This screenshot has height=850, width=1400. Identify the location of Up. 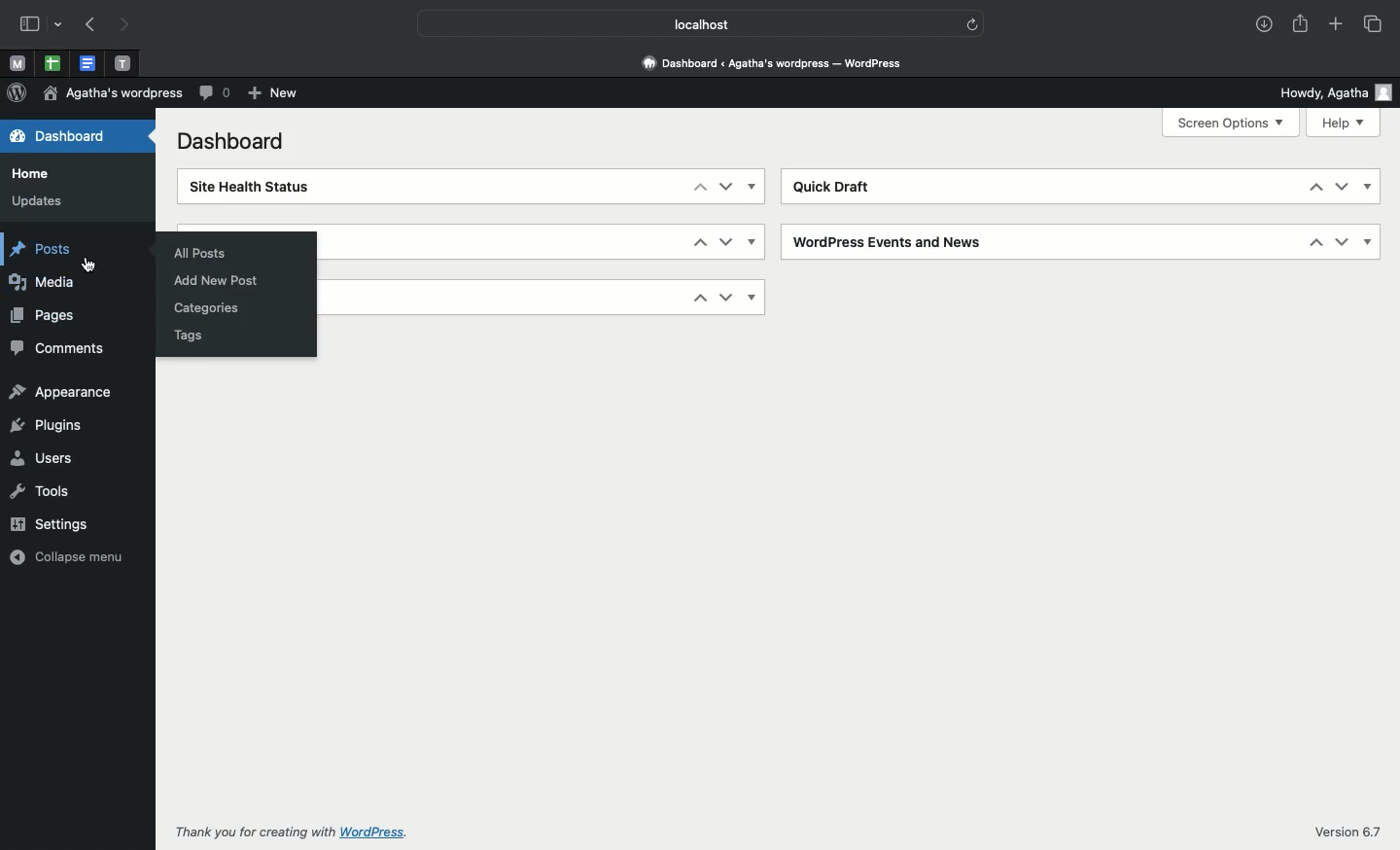
(1312, 187).